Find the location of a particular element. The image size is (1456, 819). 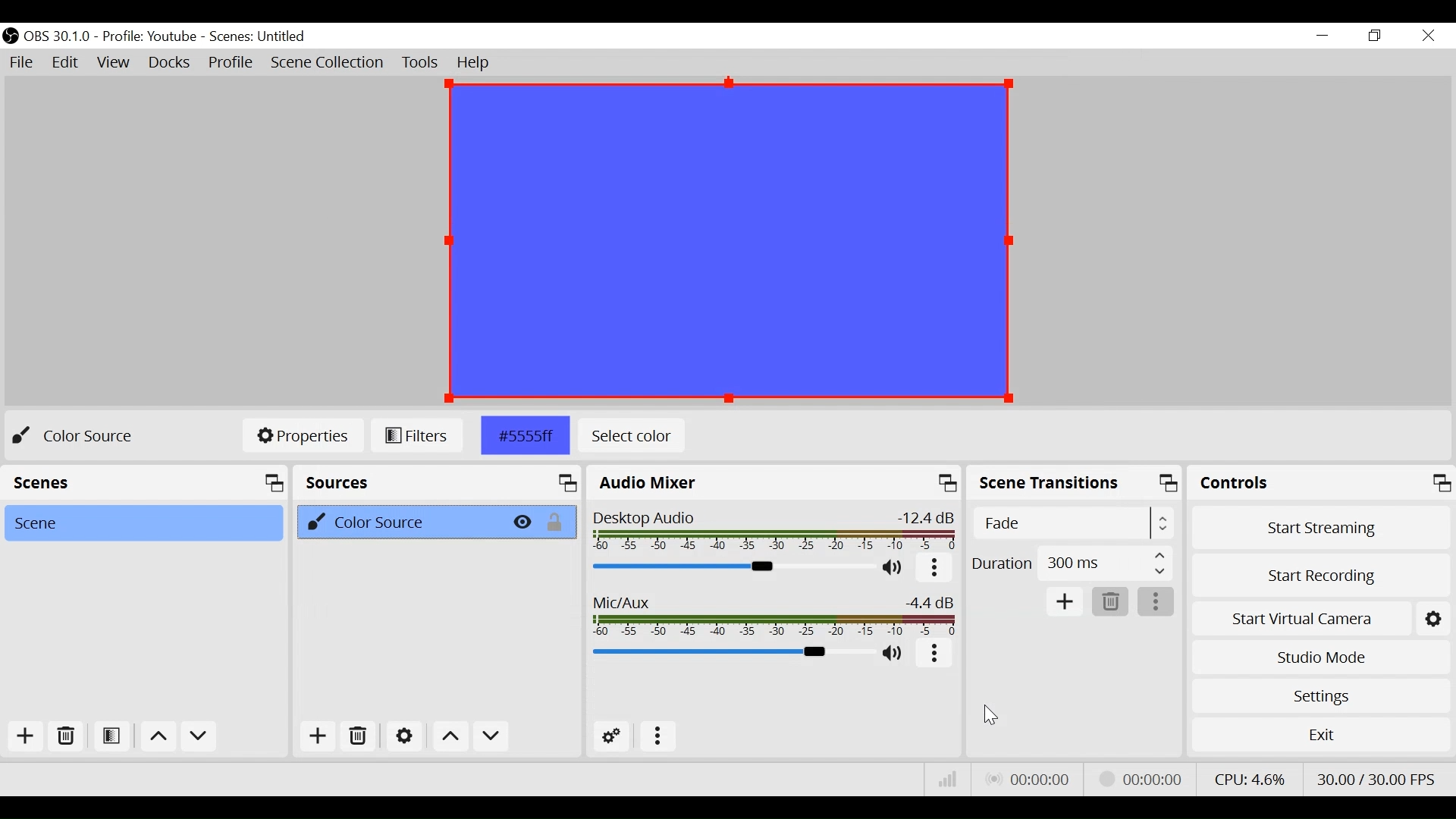

OBS Version is located at coordinates (58, 36).